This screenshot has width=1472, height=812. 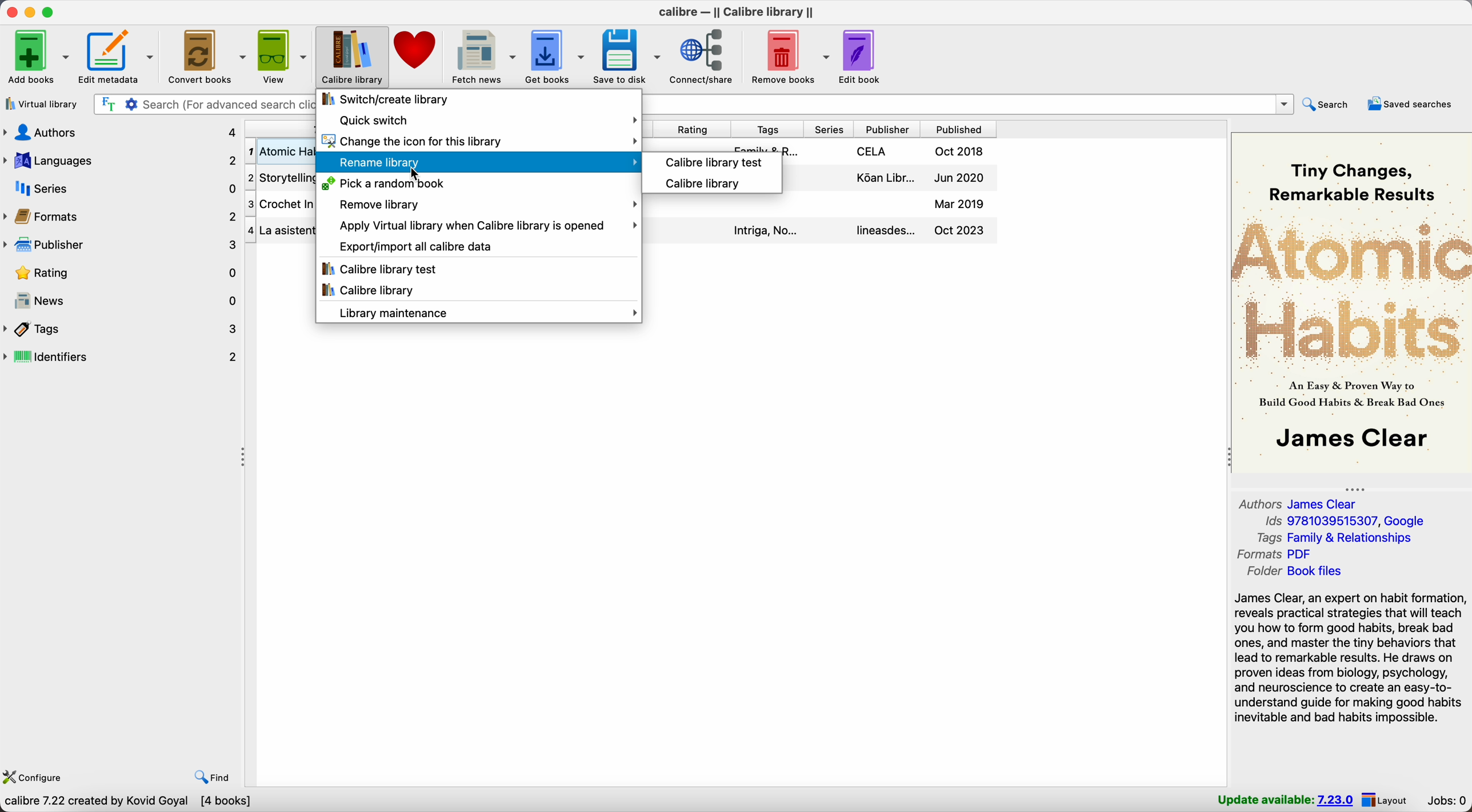 What do you see at coordinates (383, 99) in the screenshot?
I see `switch/create library` at bounding box center [383, 99].